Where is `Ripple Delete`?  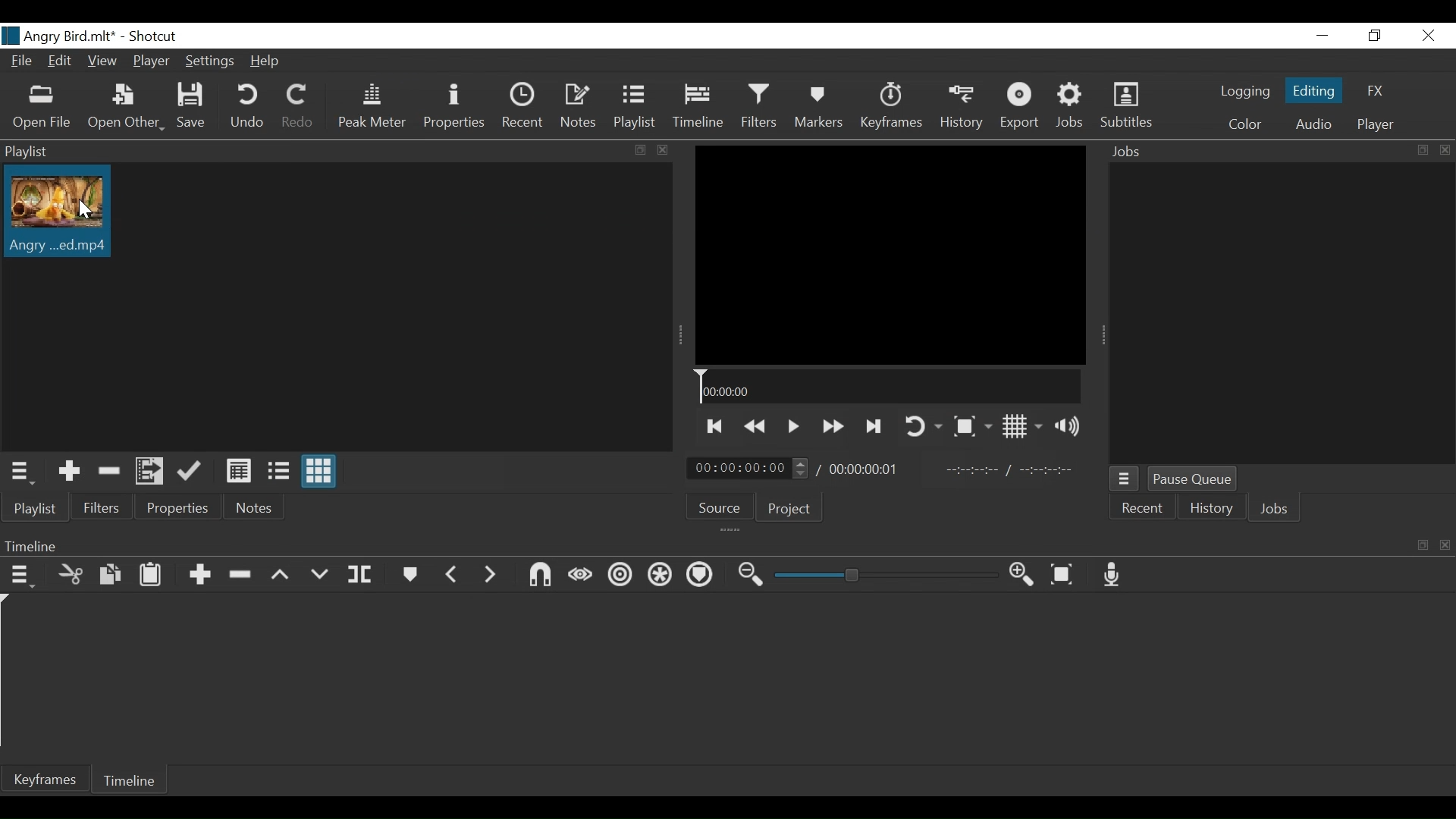 Ripple Delete is located at coordinates (239, 575).